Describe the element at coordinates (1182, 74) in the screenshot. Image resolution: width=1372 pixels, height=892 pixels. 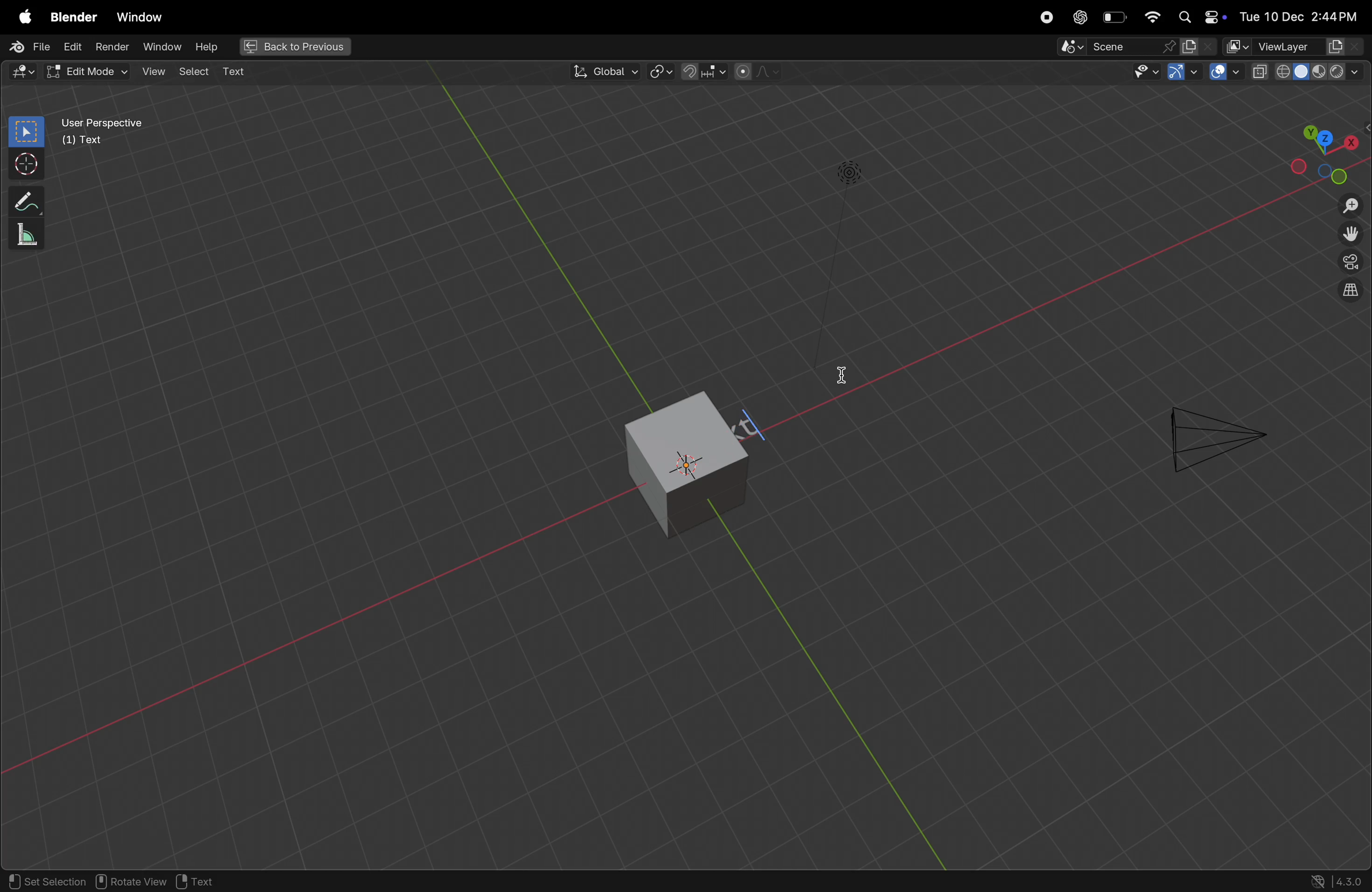
I see `show gimzo` at that location.